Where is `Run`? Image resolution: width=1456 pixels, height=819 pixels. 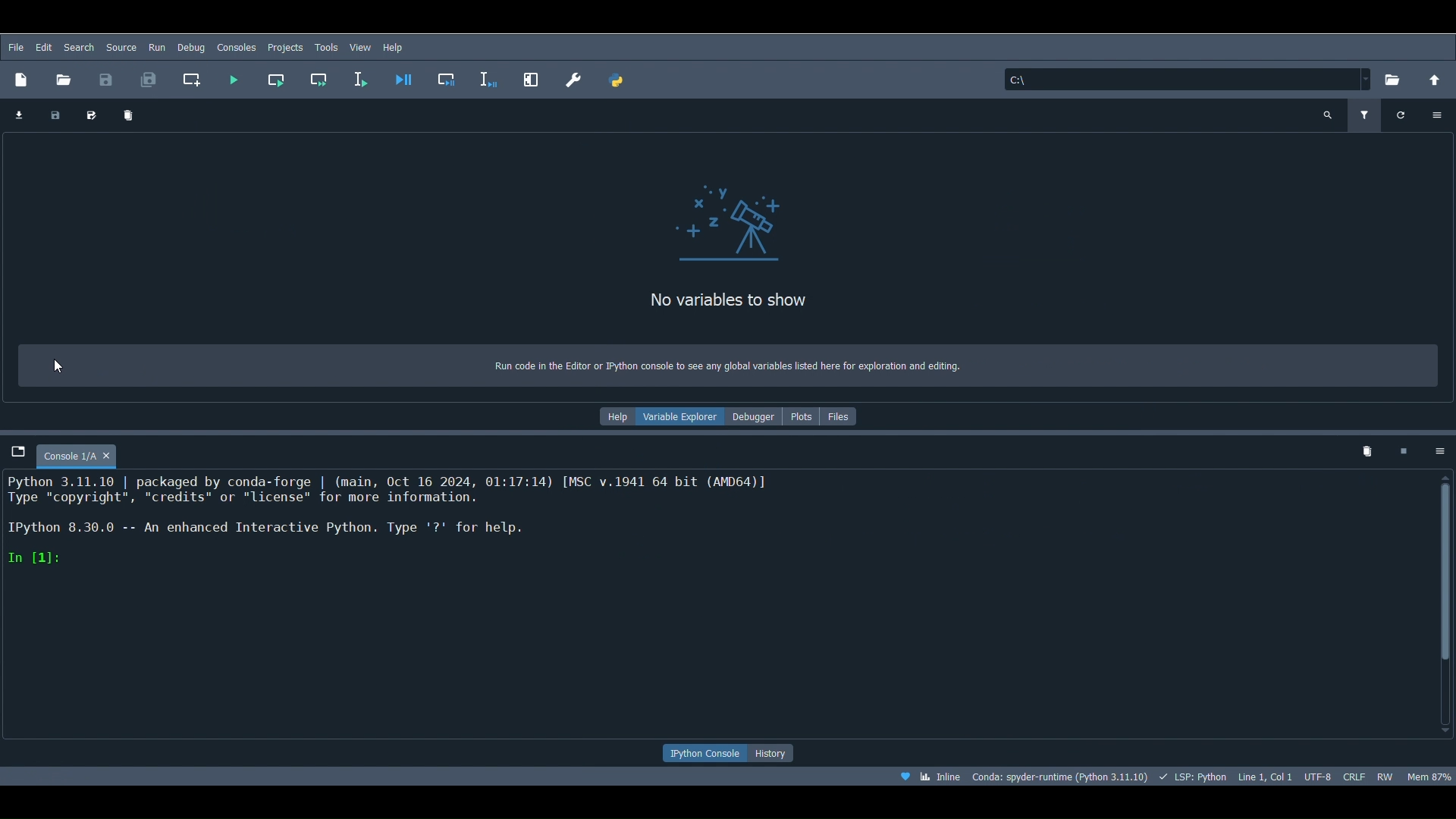
Run is located at coordinates (156, 48).